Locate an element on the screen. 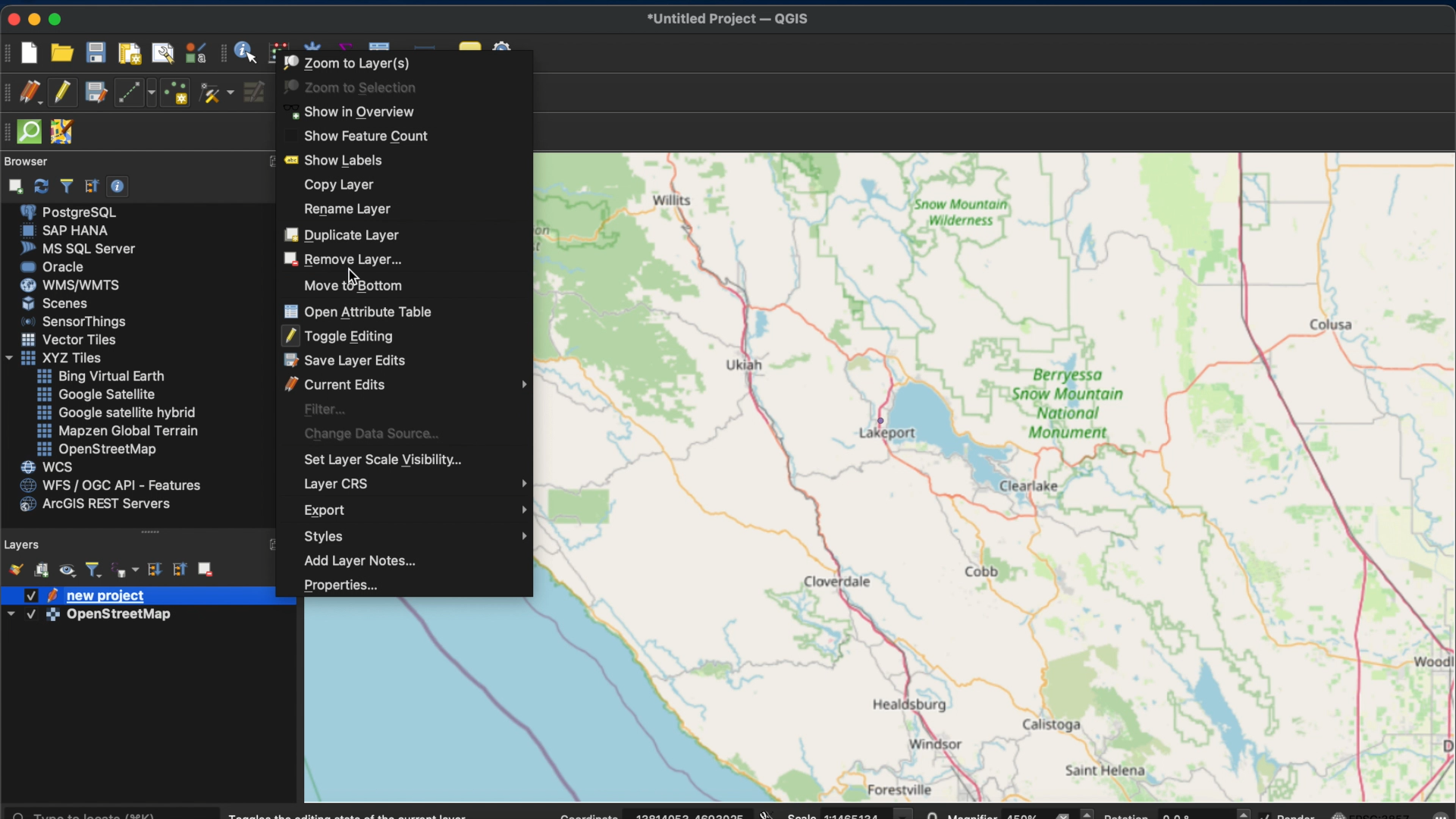  add group is located at coordinates (42, 569).